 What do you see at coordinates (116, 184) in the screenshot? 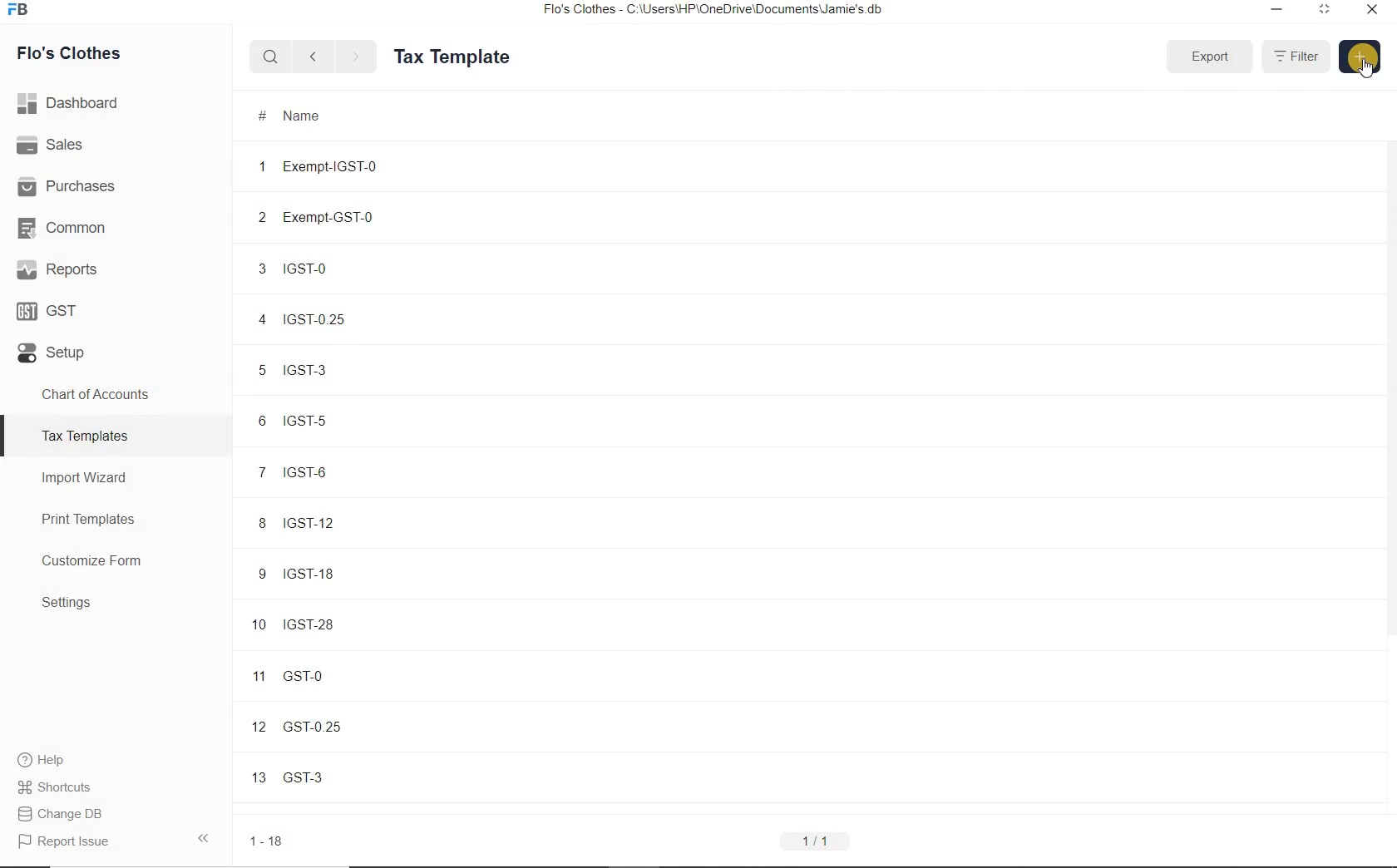
I see `Purchases` at bounding box center [116, 184].